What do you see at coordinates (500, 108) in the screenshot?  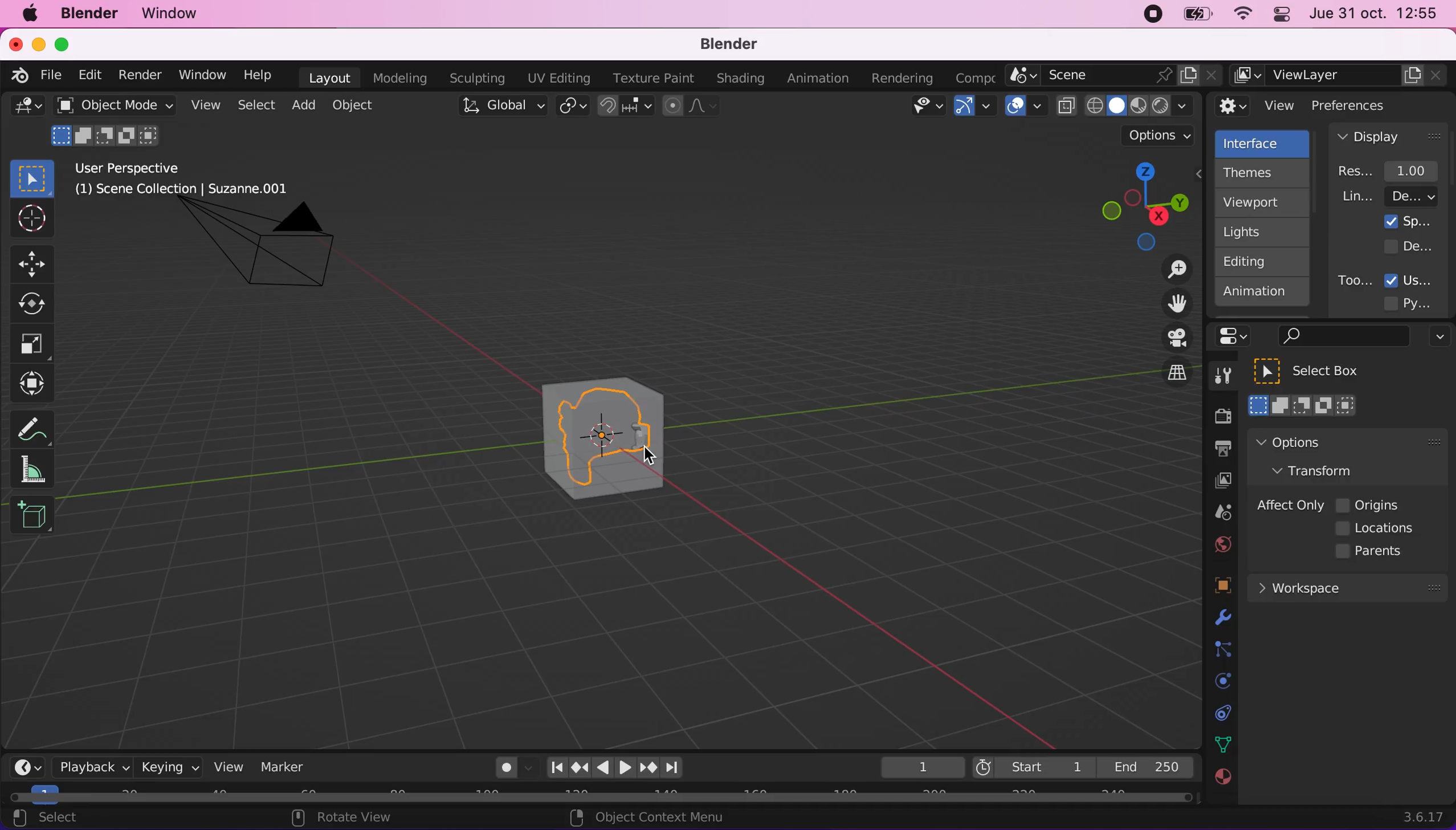 I see `global` at bounding box center [500, 108].